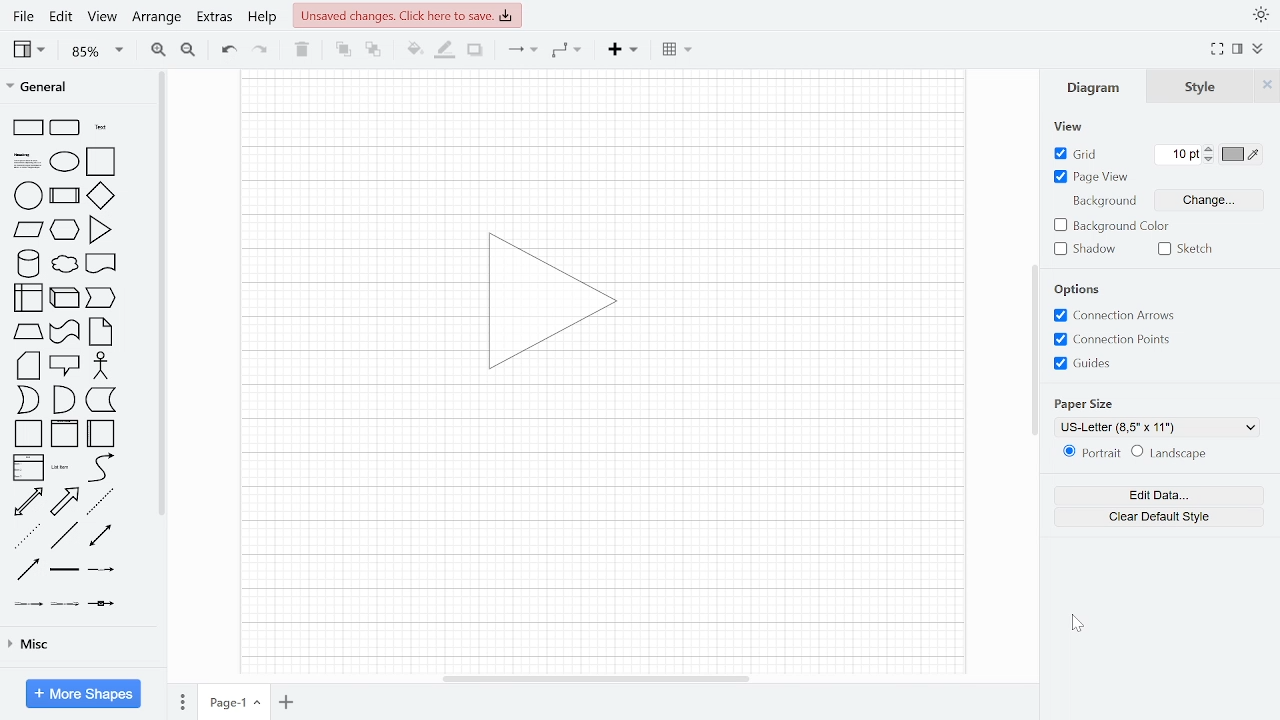  What do you see at coordinates (101, 467) in the screenshot?
I see `Curve` at bounding box center [101, 467].